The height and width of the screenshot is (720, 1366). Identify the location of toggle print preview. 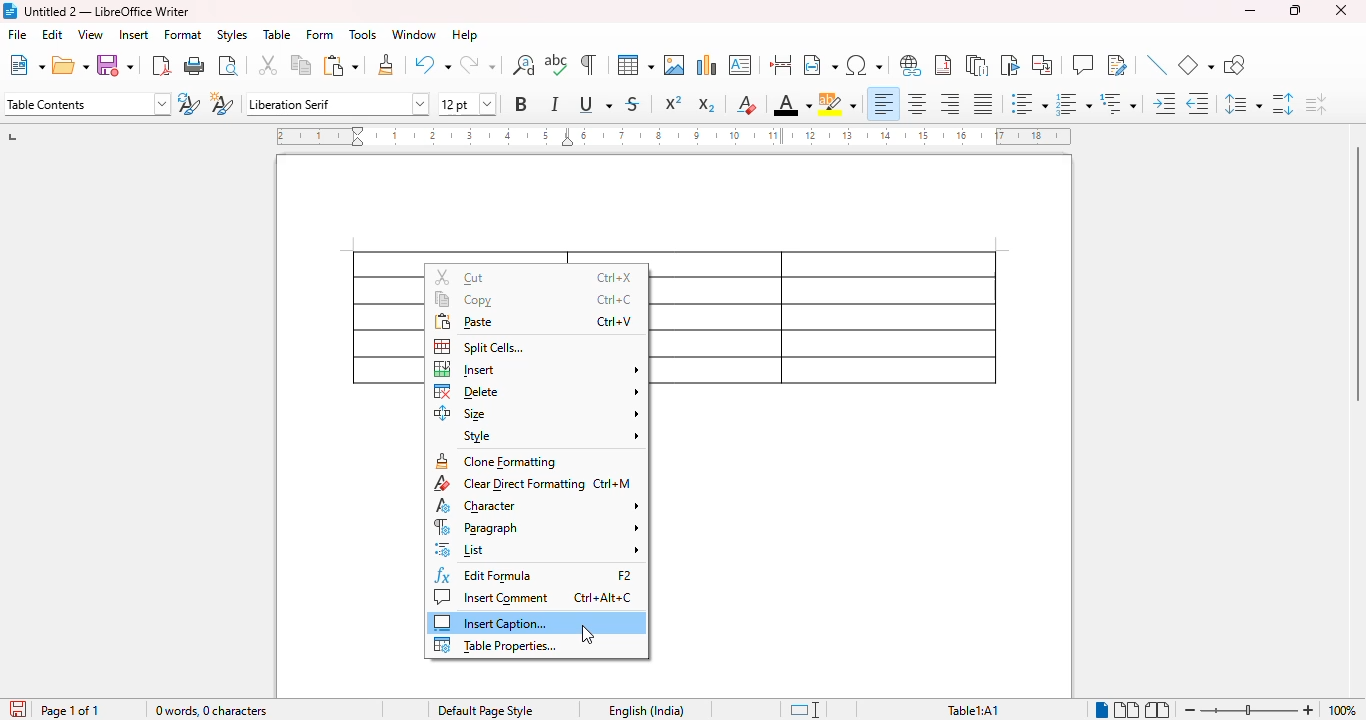
(229, 66).